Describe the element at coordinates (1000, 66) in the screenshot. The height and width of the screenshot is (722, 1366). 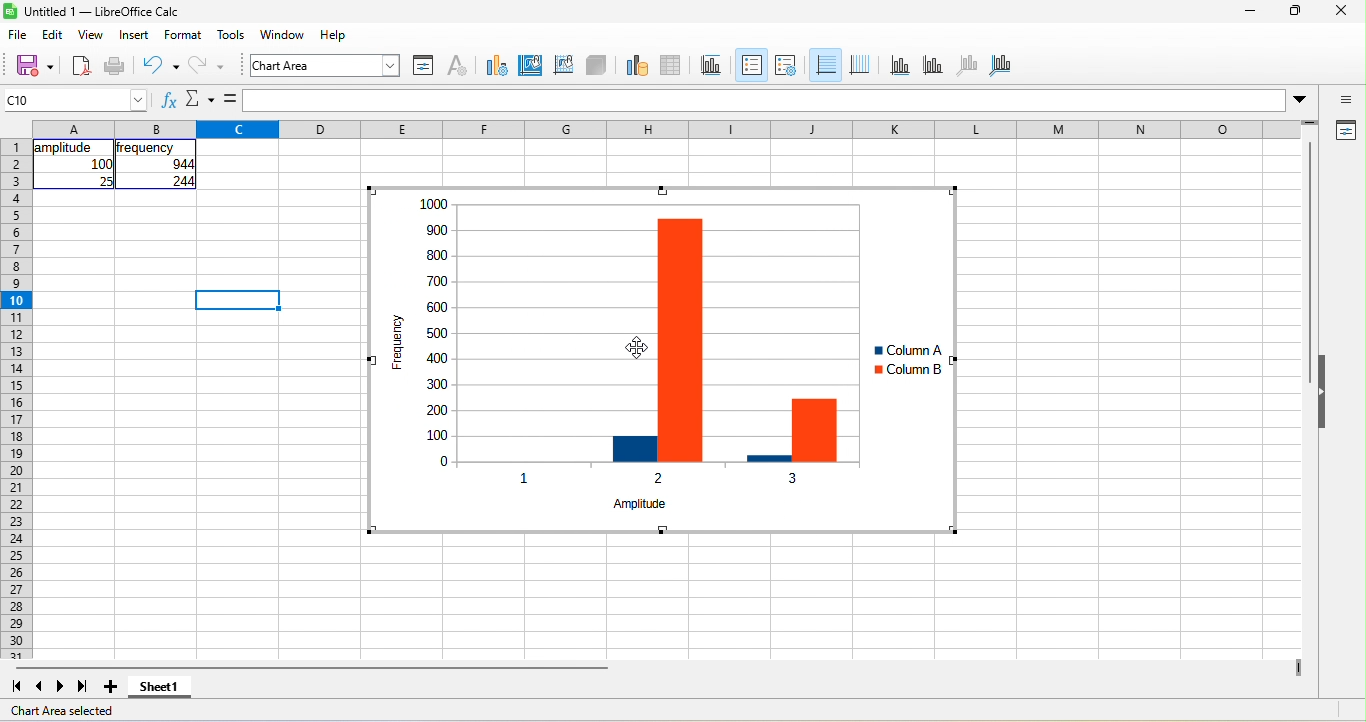
I see `all aaxes` at that location.